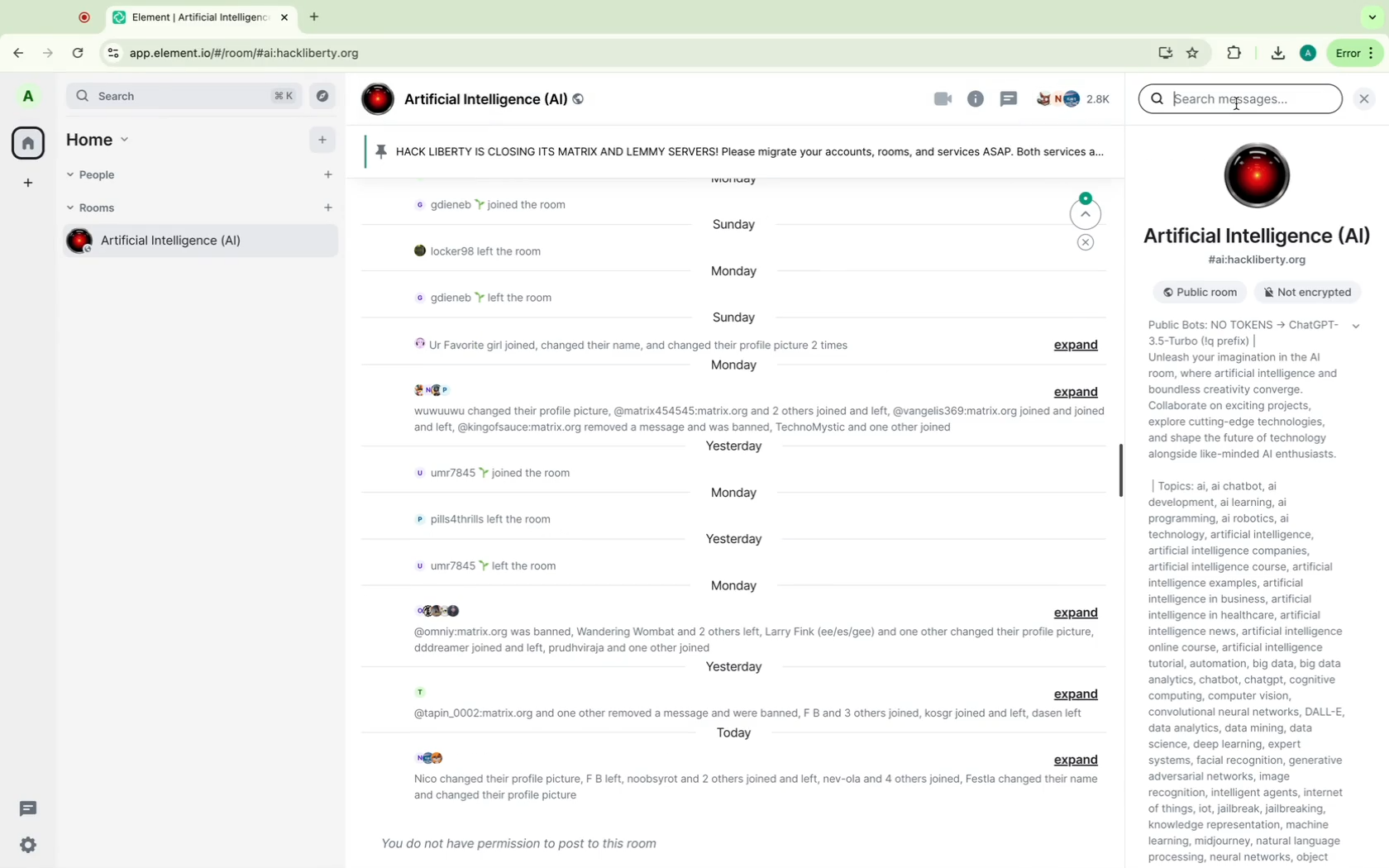 This screenshot has width=1389, height=868. I want to click on mark all as read, so click(1086, 244).